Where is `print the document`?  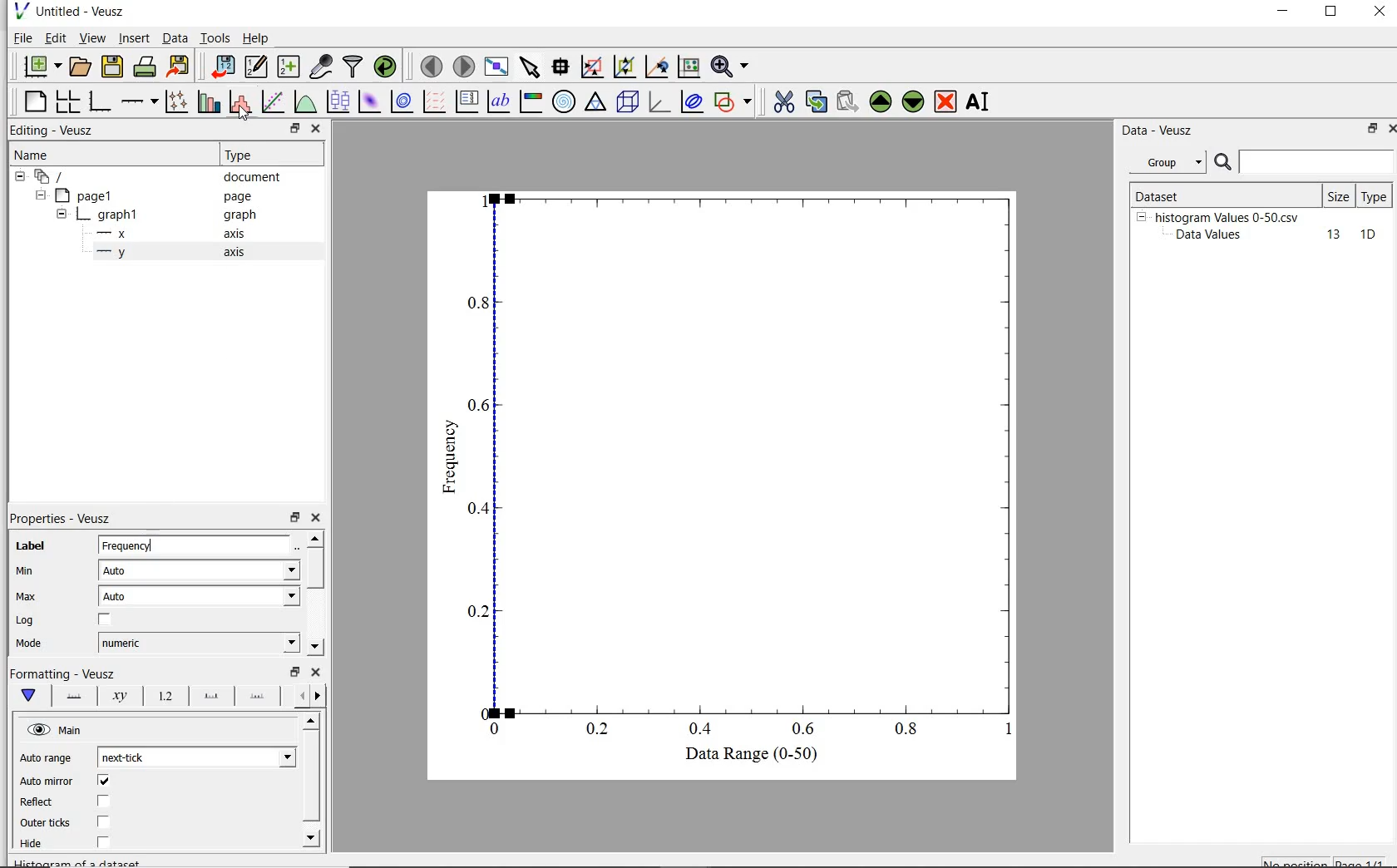 print the document is located at coordinates (146, 65).